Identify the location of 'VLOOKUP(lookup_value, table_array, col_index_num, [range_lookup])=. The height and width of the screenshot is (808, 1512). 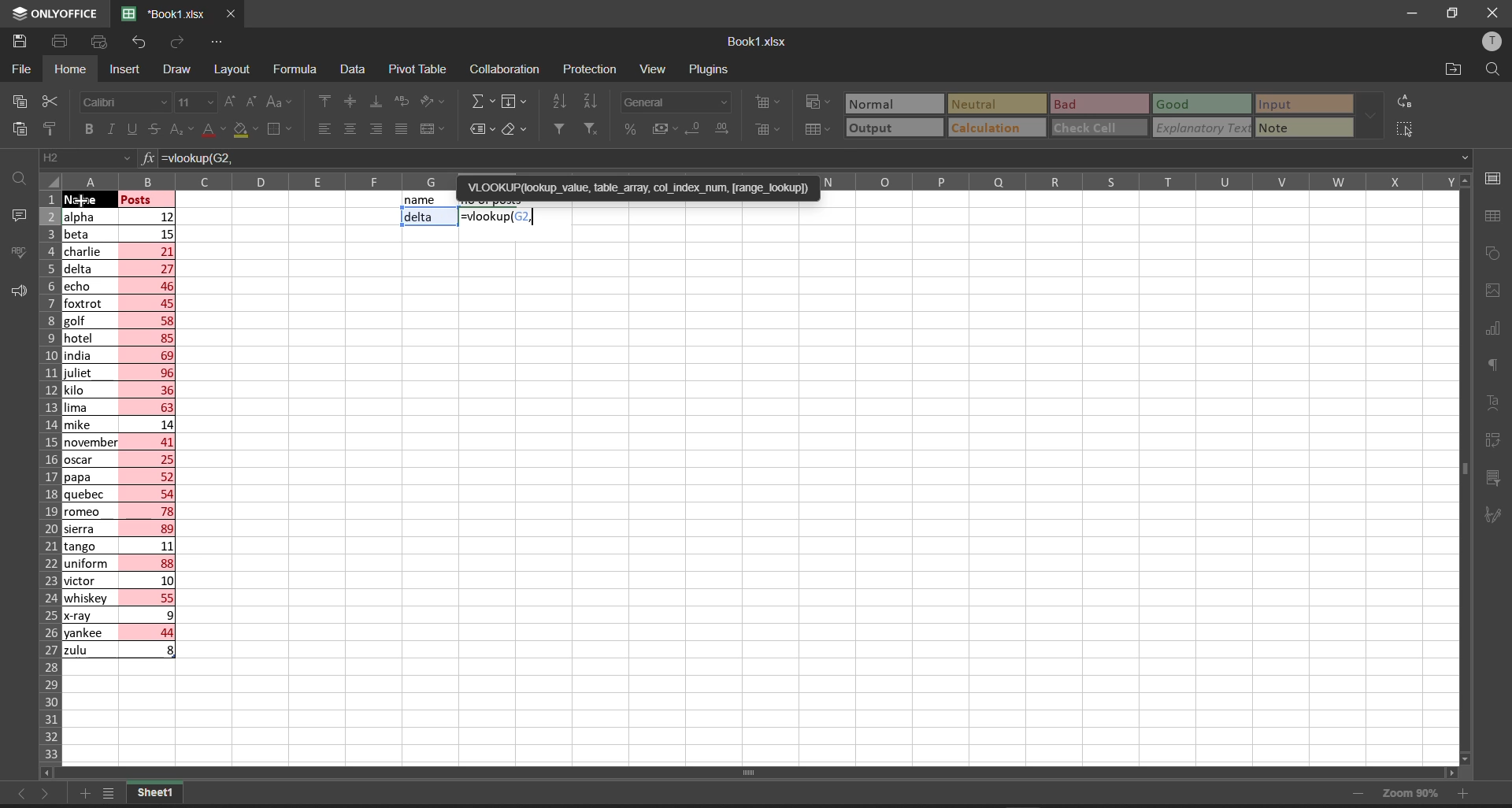
(636, 195).